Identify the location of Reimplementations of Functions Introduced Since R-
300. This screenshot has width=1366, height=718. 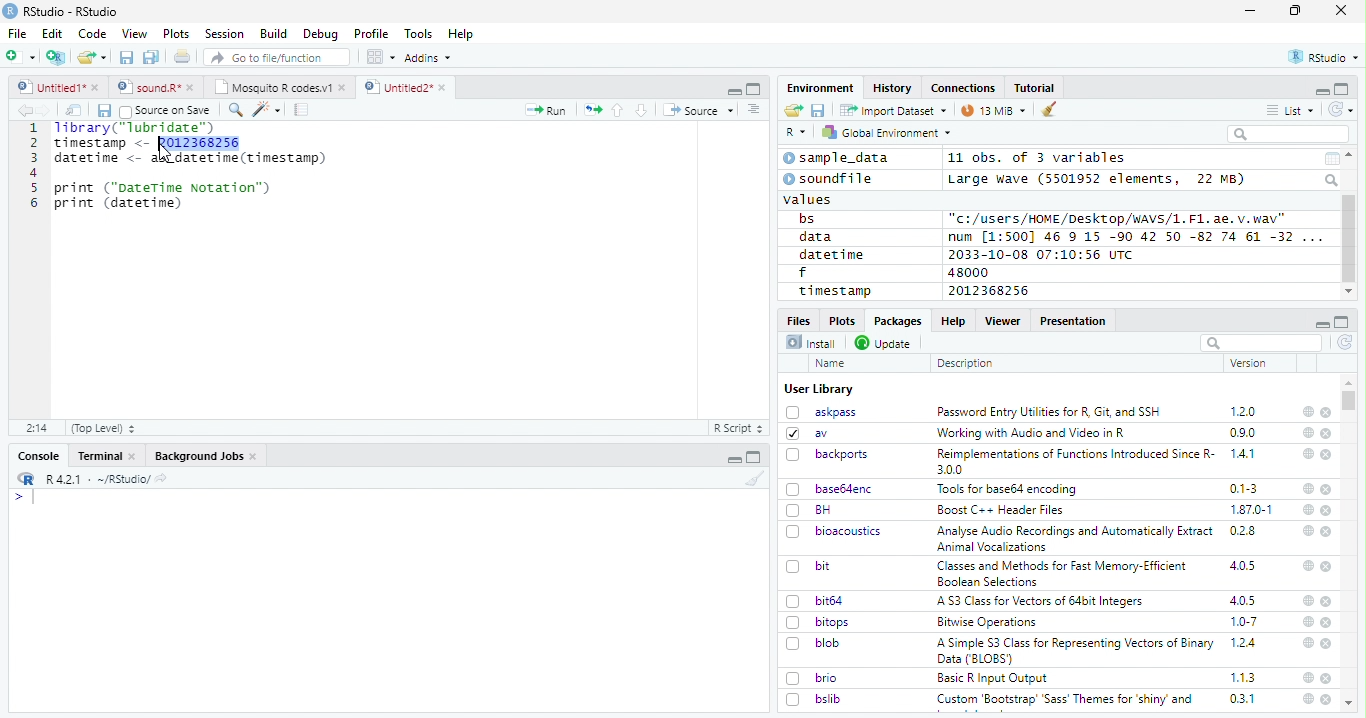
(1074, 461).